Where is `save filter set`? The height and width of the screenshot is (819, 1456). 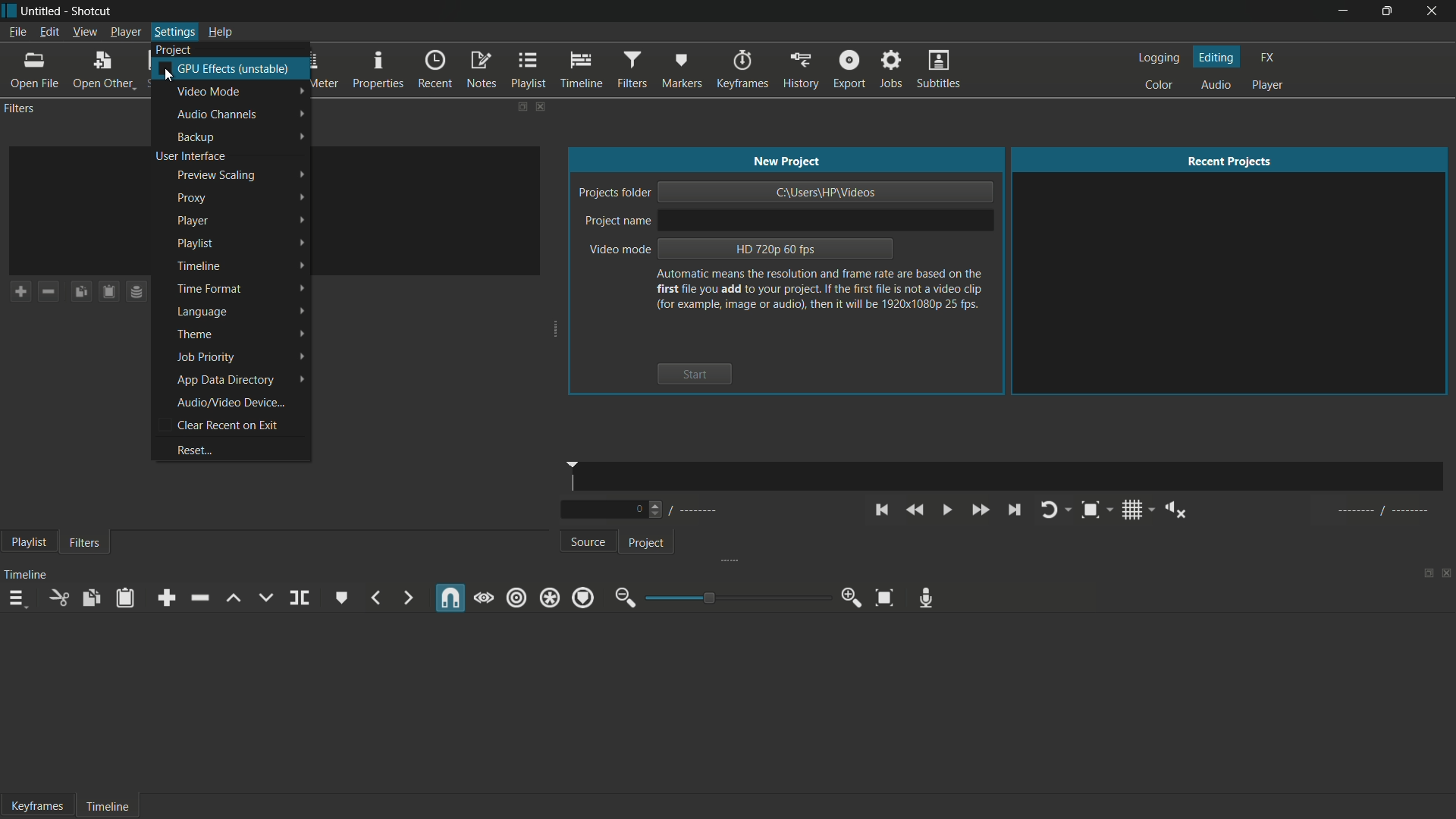 save filter set is located at coordinates (136, 292).